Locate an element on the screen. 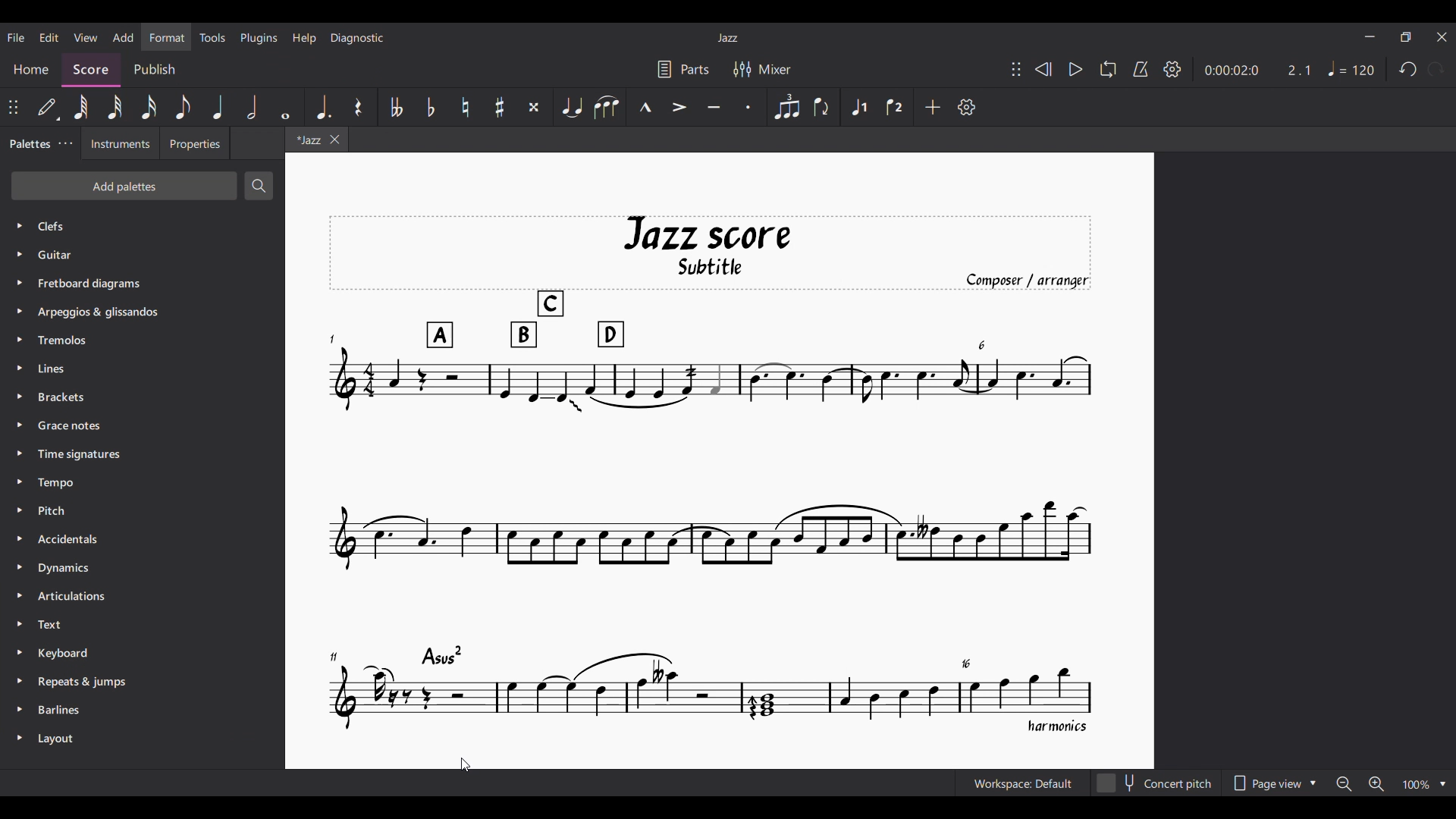 This screenshot has width=1456, height=819. Minimize is located at coordinates (1369, 36).